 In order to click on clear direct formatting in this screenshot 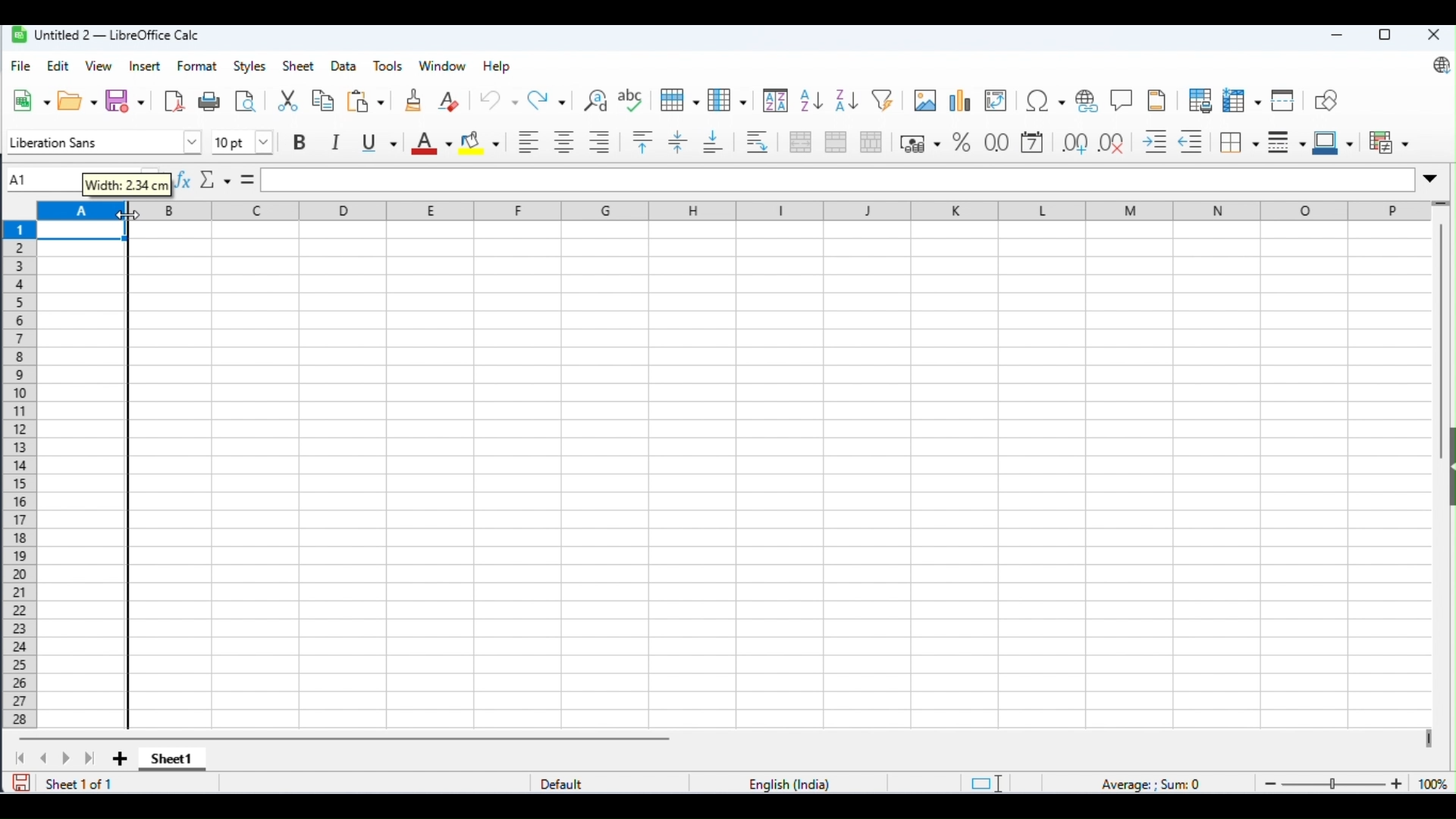, I will do `click(450, 99)`.